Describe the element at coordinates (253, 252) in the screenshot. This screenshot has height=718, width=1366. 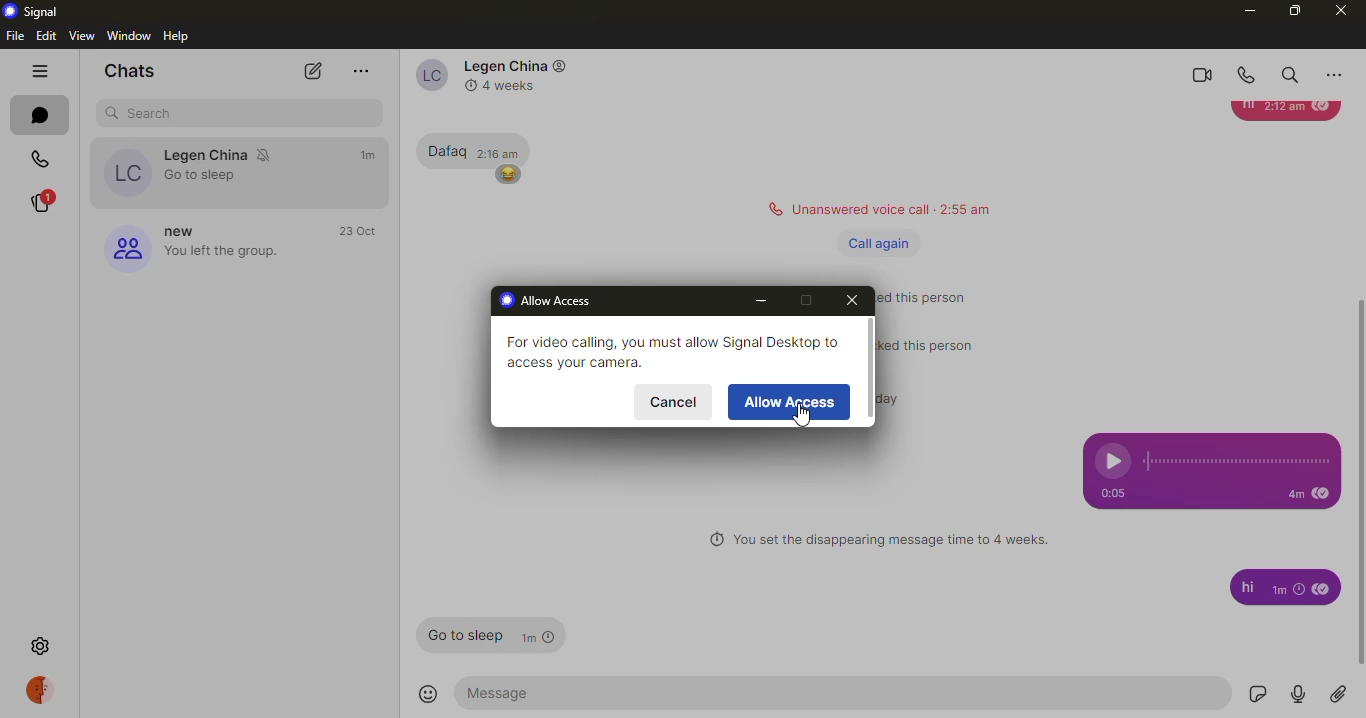
I see `you left the group.` at that location.